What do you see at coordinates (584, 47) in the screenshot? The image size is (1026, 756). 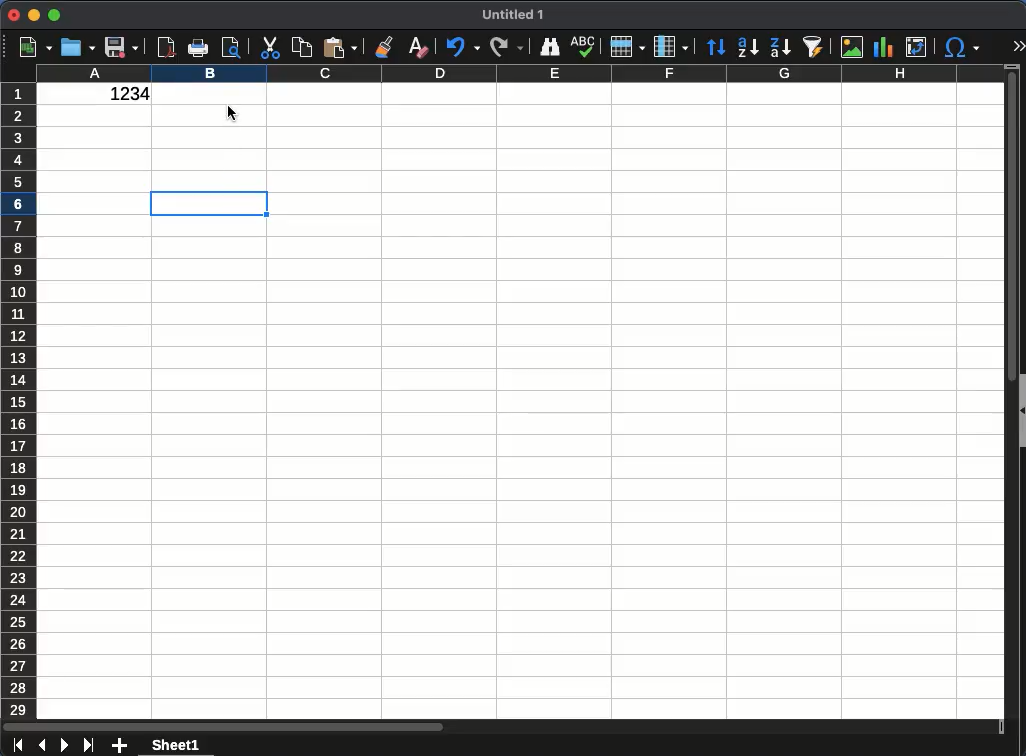 I see `spell check` at bounding box center [584, 47].